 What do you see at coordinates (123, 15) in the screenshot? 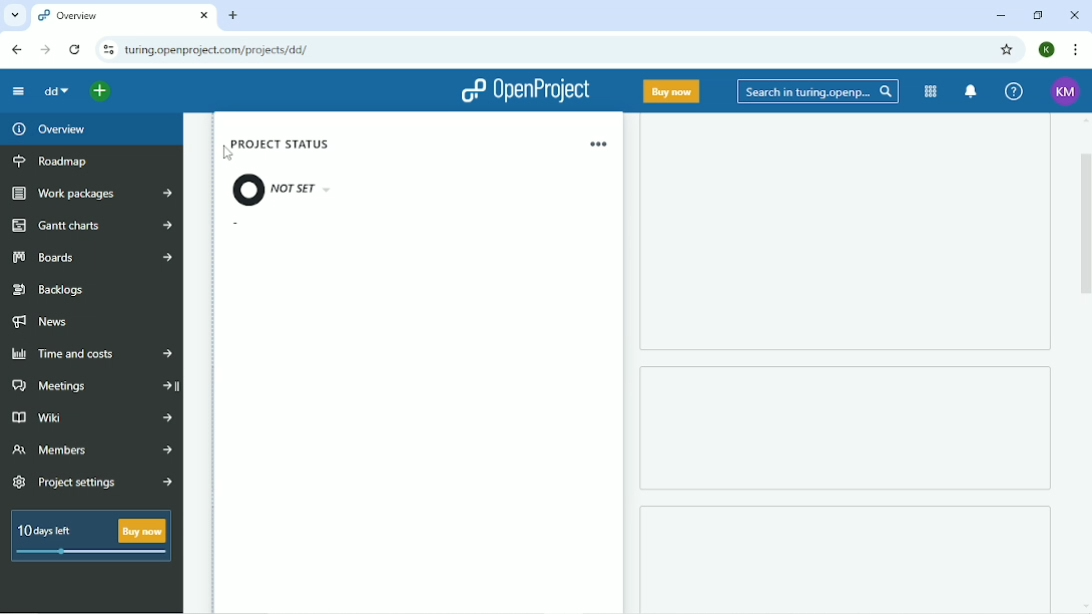
I see `Current tab` at bounding box center [123, 15].